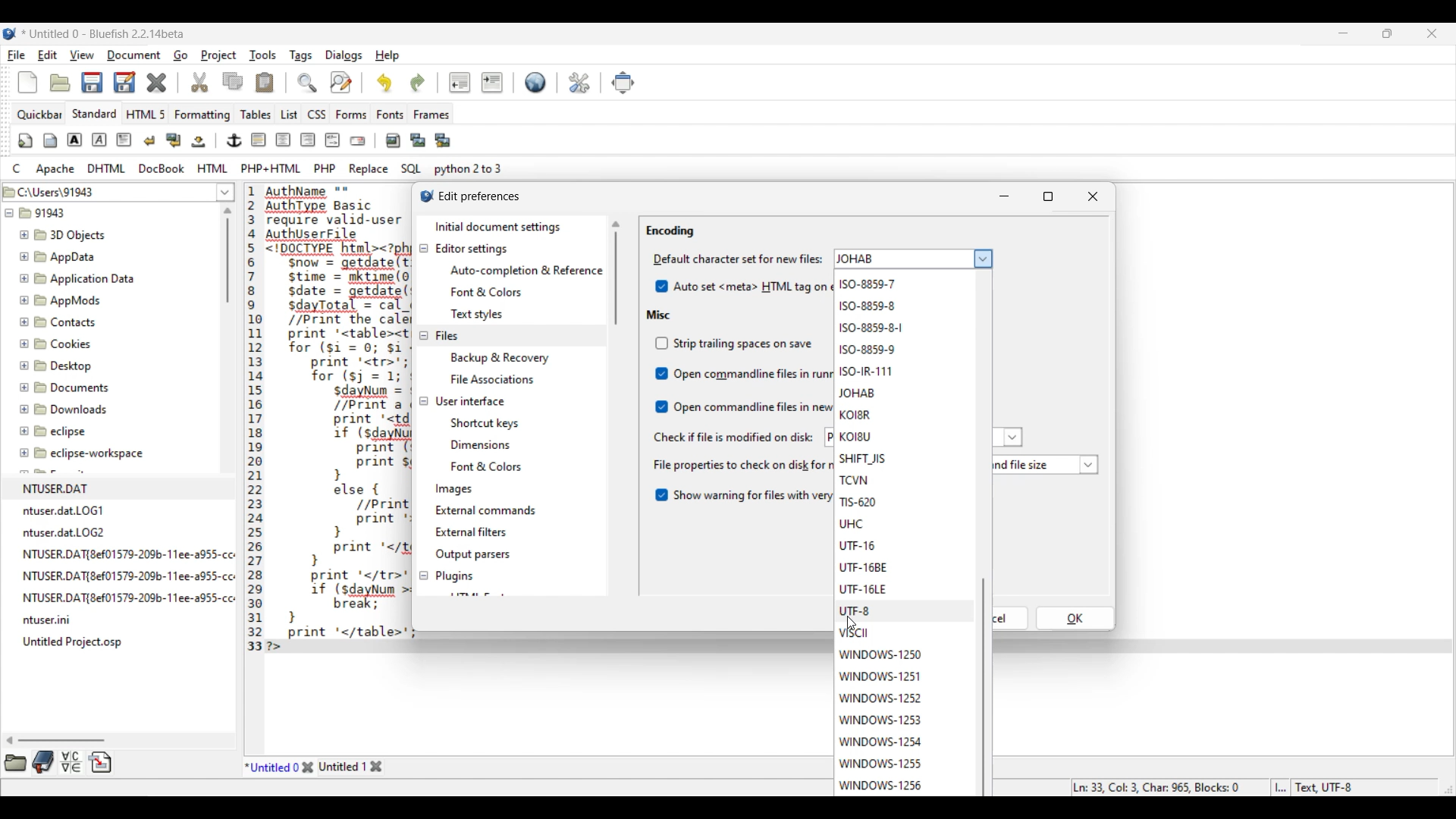  I want to click on View menu, so click(82, 55).